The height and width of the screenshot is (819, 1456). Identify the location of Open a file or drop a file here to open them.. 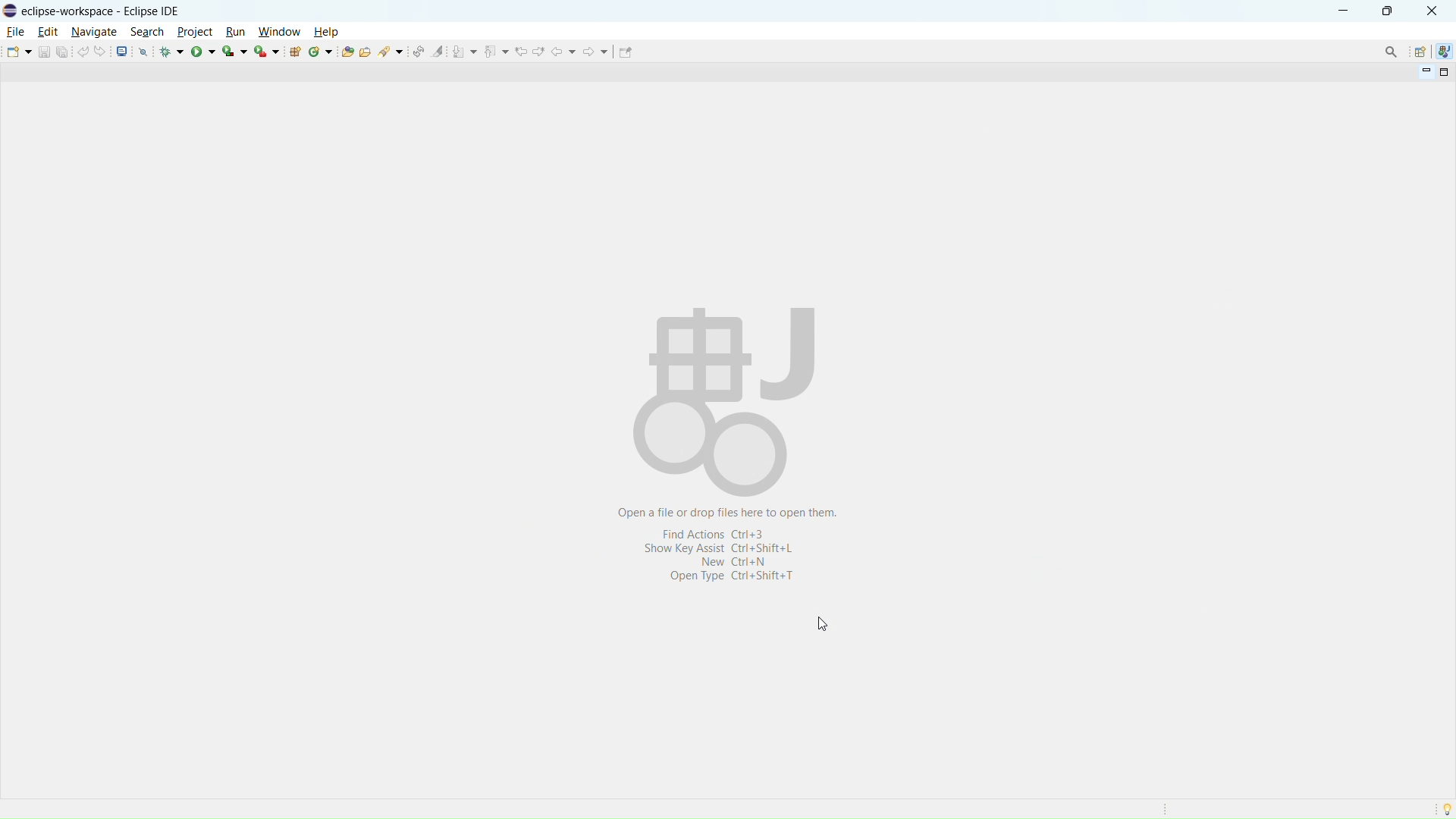
(737, 409).